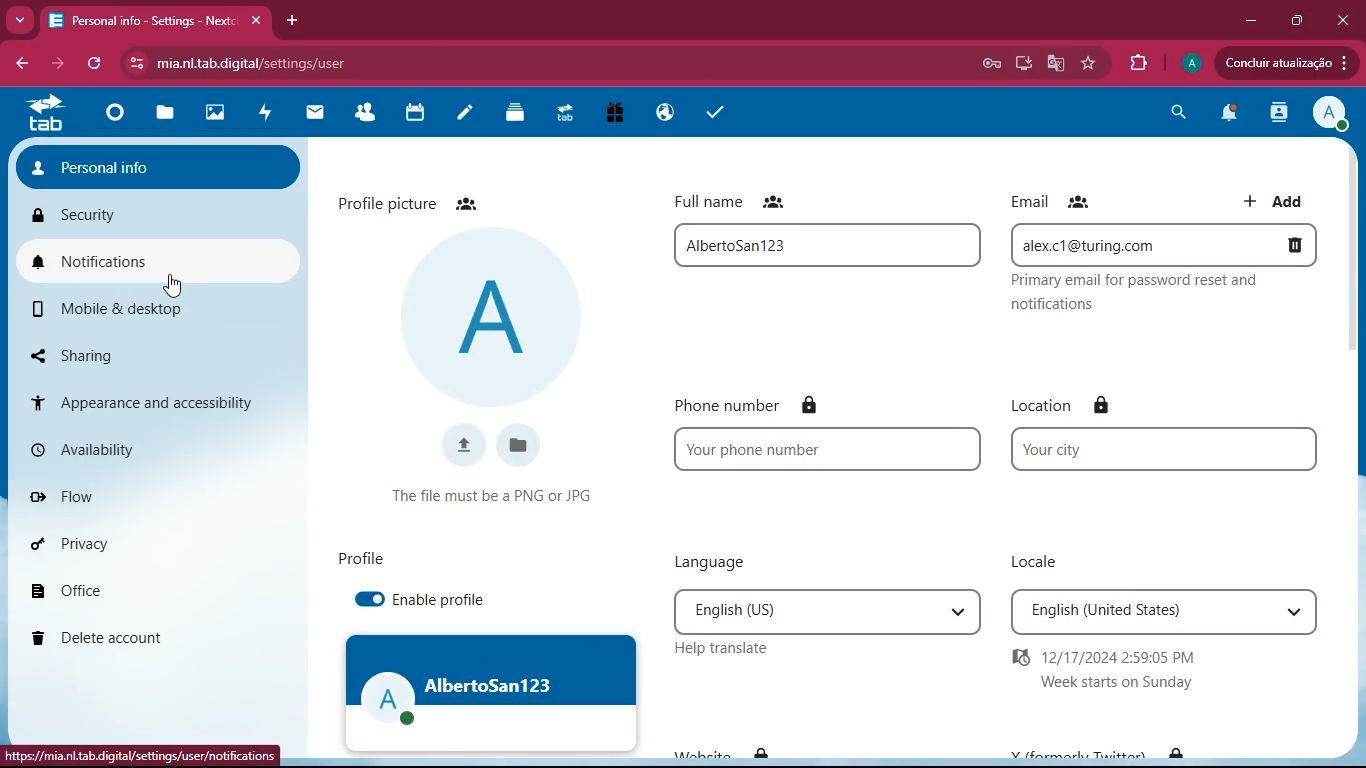 This screenshot has height=768, width=1366. What do you see at coordinates (140, 214) in the screenshot?
I see `security` at bounding box center [140, 214].